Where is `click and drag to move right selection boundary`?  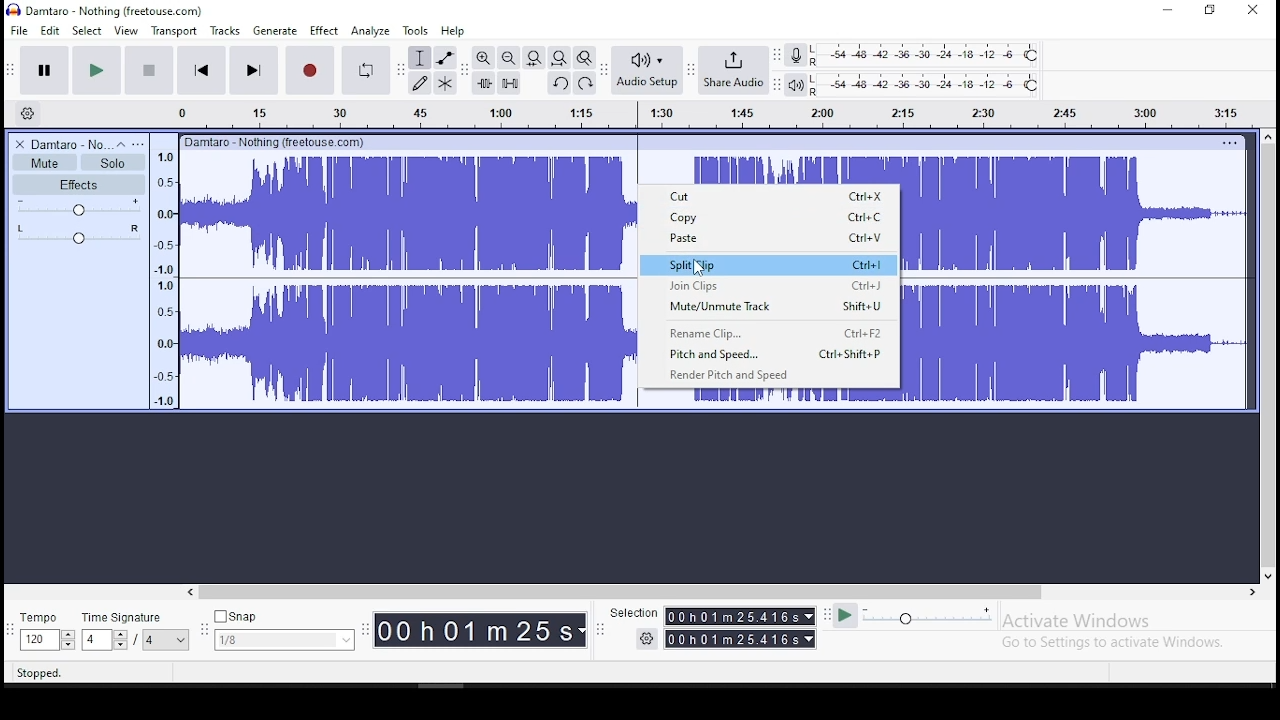 click and drag to move right selection boundary is located at coordinates (296, 673).